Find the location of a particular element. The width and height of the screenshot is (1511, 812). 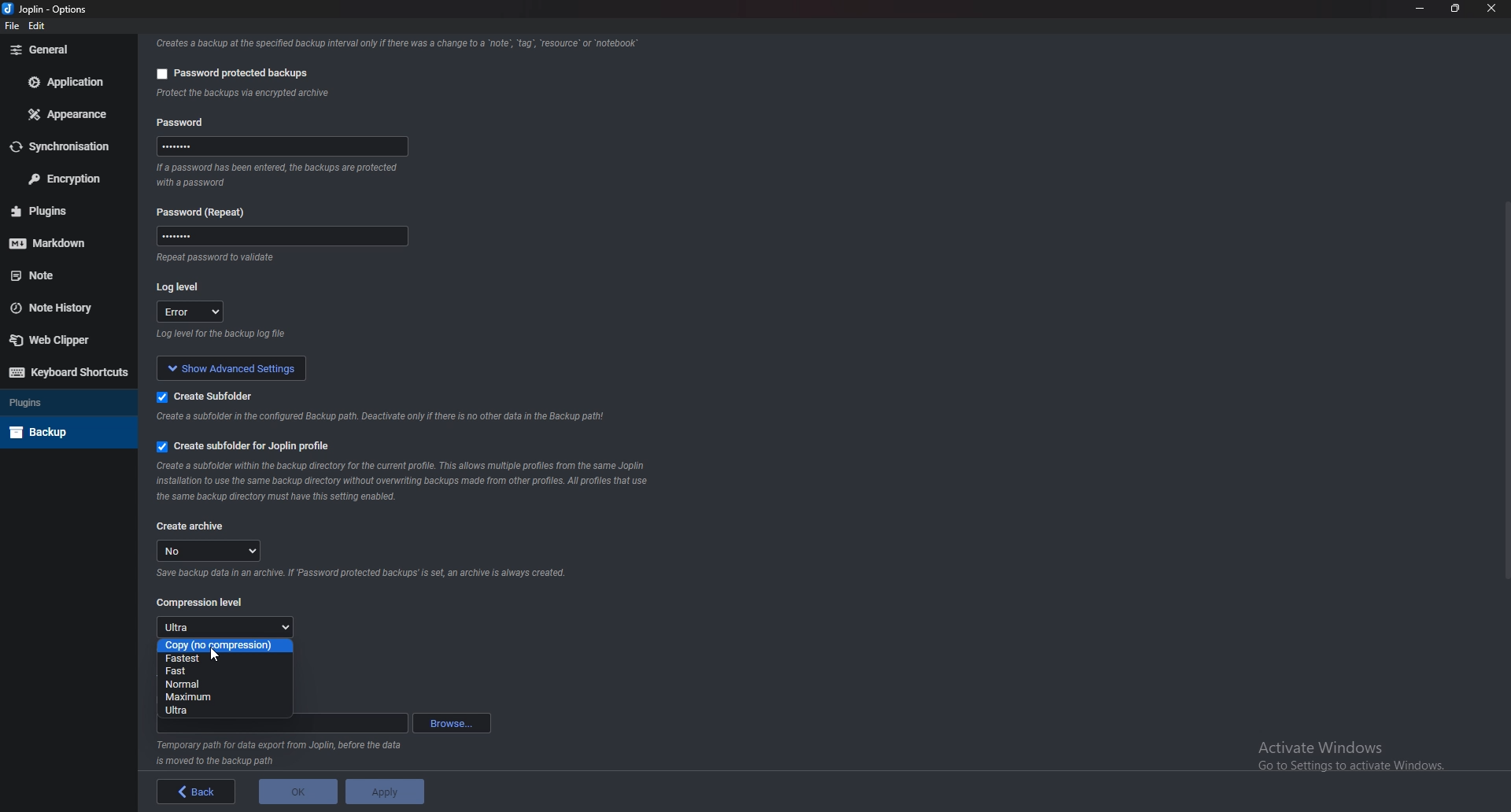

Scroll bar is located at coordinates (1504, 389).